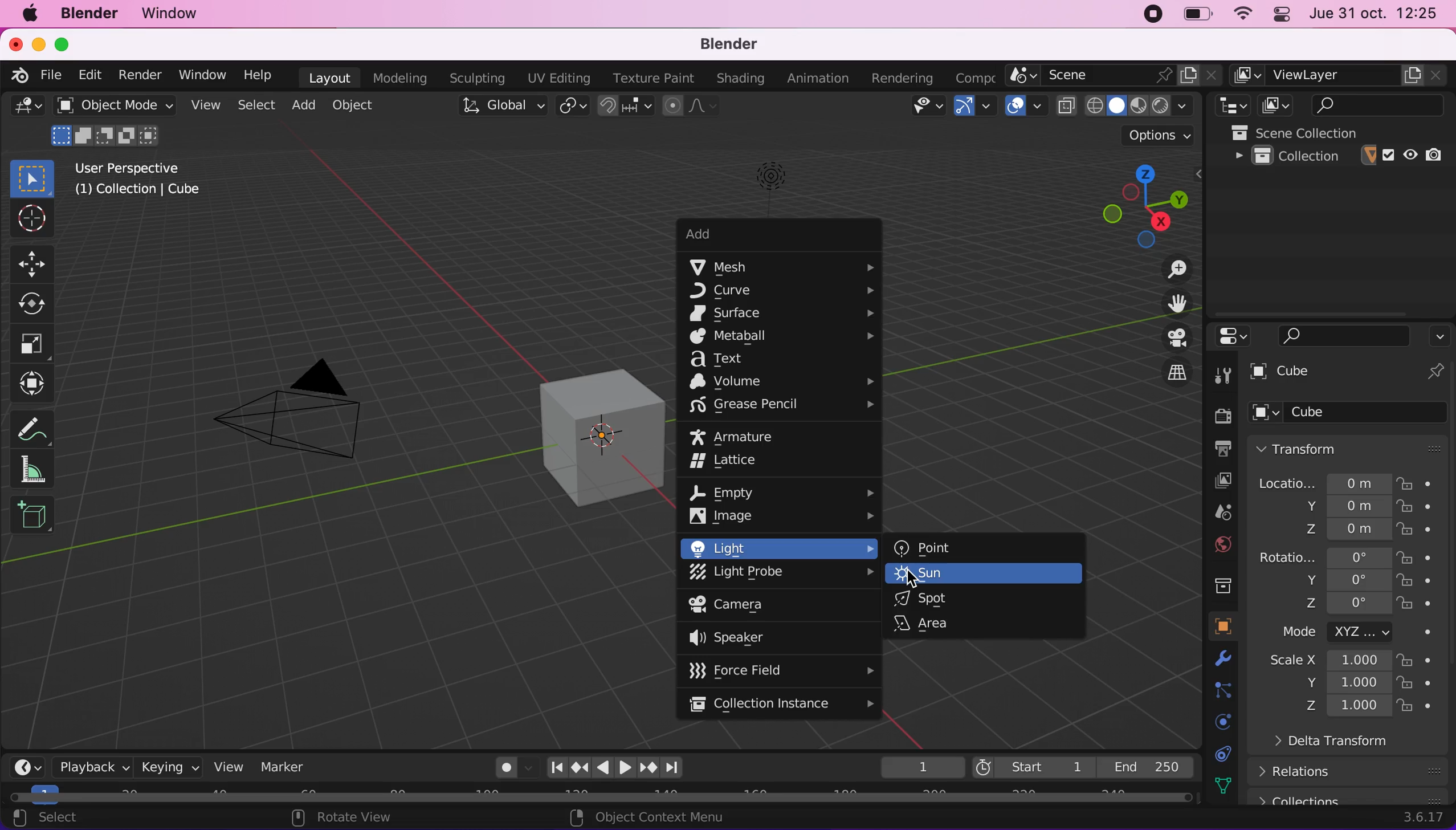  What do you see at coordinates (1168, 303) in the screenshot?
I see `move the view` at bounding box center [1168, 303].